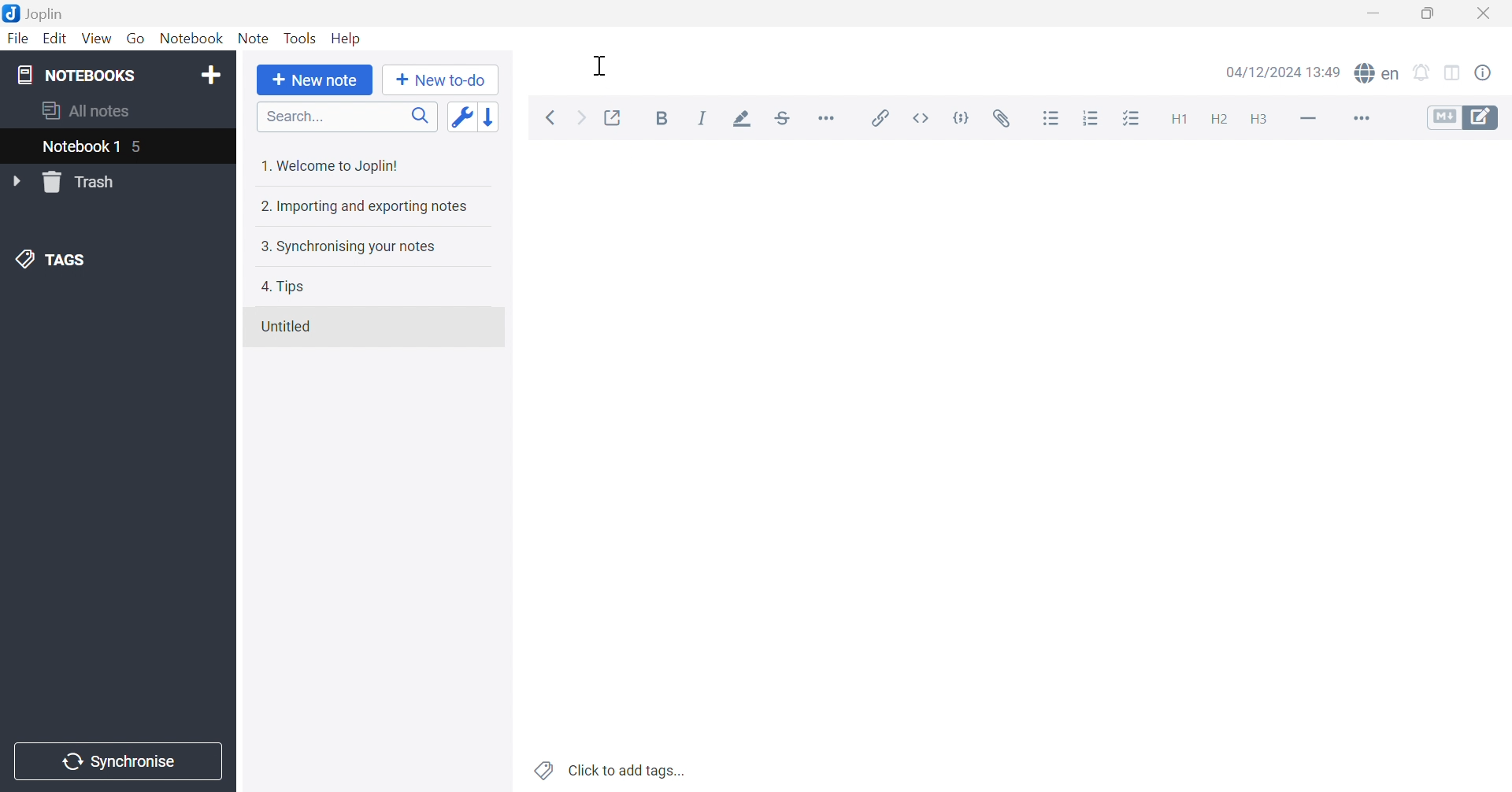 The height and width of the screenshot is (792, 1512). What do you see at coordinates (332, 167) in the screenshot?
I see `1. Welcome to Joplin!` at bounding box center [332, 167].